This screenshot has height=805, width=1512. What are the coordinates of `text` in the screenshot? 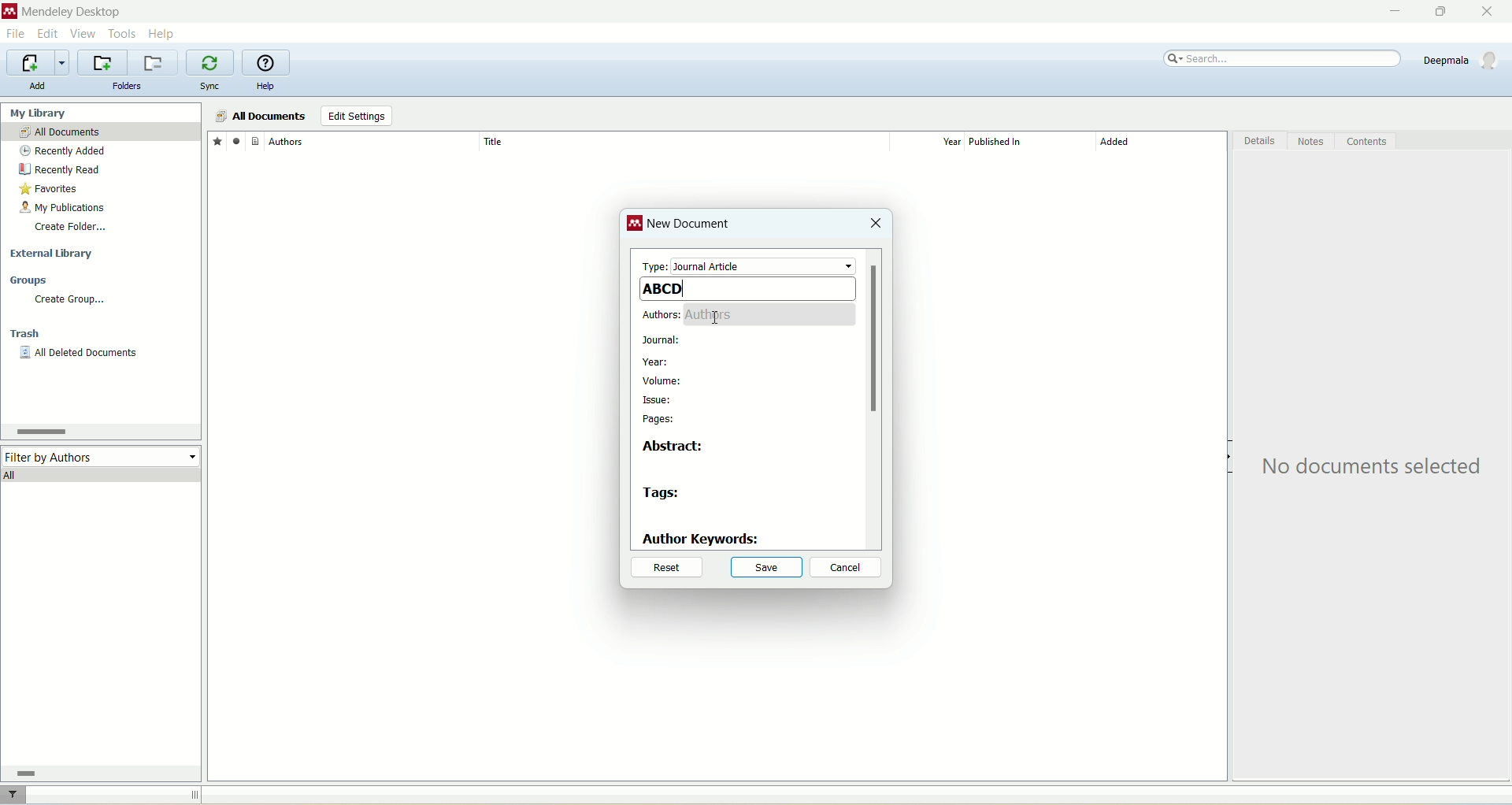 It's located at (1376, 467).